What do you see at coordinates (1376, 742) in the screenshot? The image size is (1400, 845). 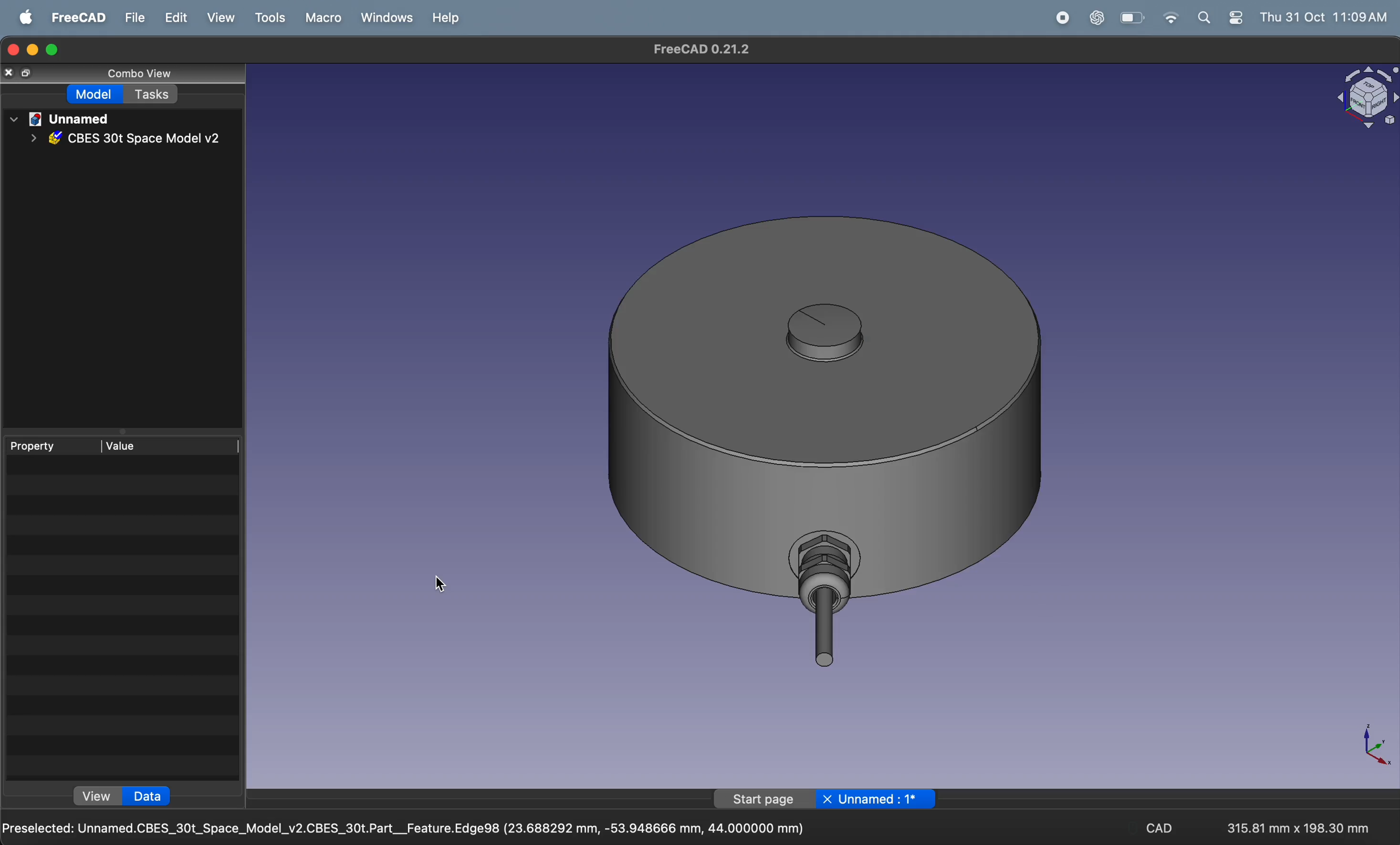 I see `axis` at bounding box center [1376, 742].